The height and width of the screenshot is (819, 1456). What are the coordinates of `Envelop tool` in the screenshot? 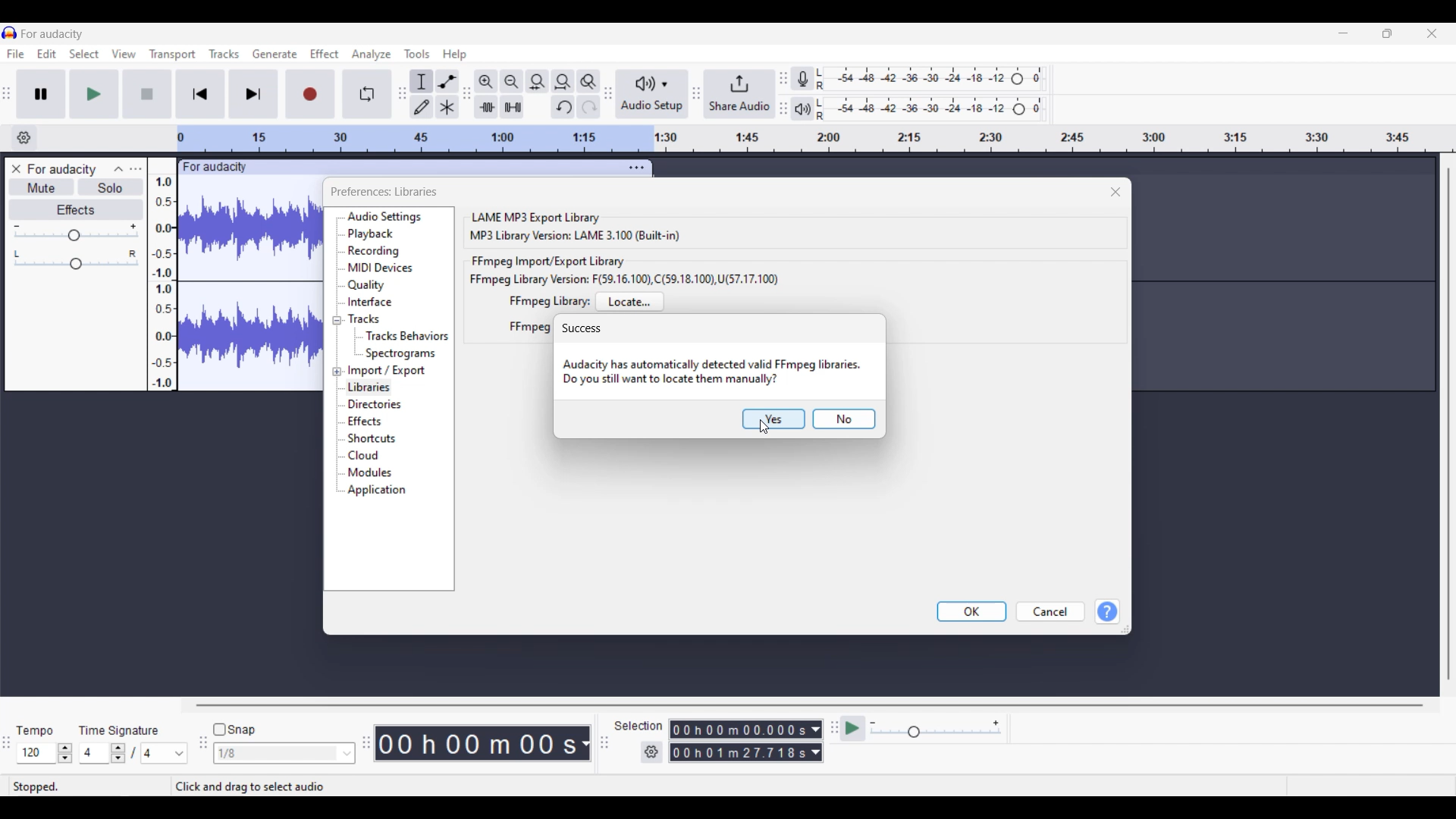 It's located at (447, 81).